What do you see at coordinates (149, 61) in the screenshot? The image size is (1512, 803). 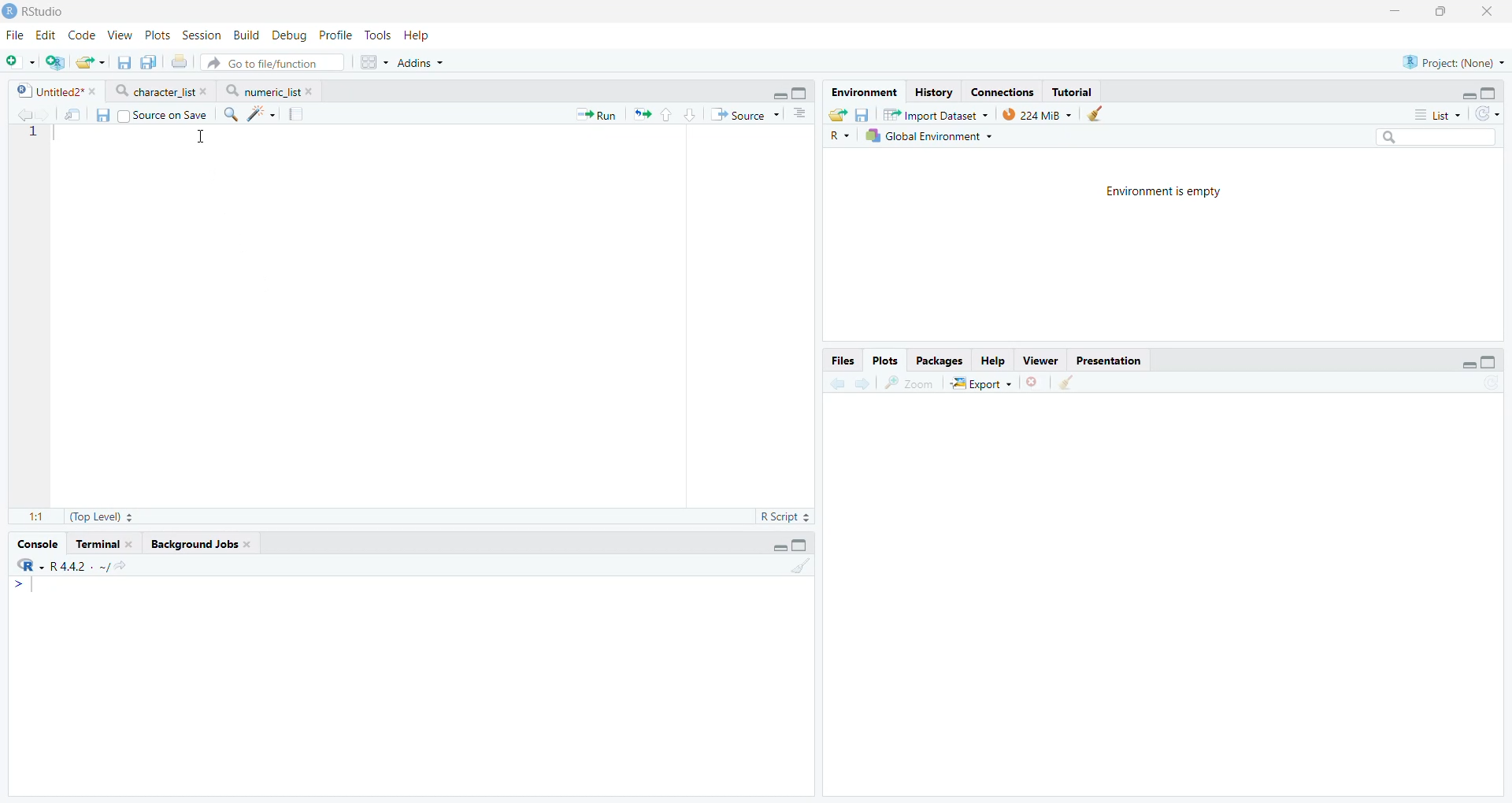 I see `Save all open files` at bounding box center [149, 61].